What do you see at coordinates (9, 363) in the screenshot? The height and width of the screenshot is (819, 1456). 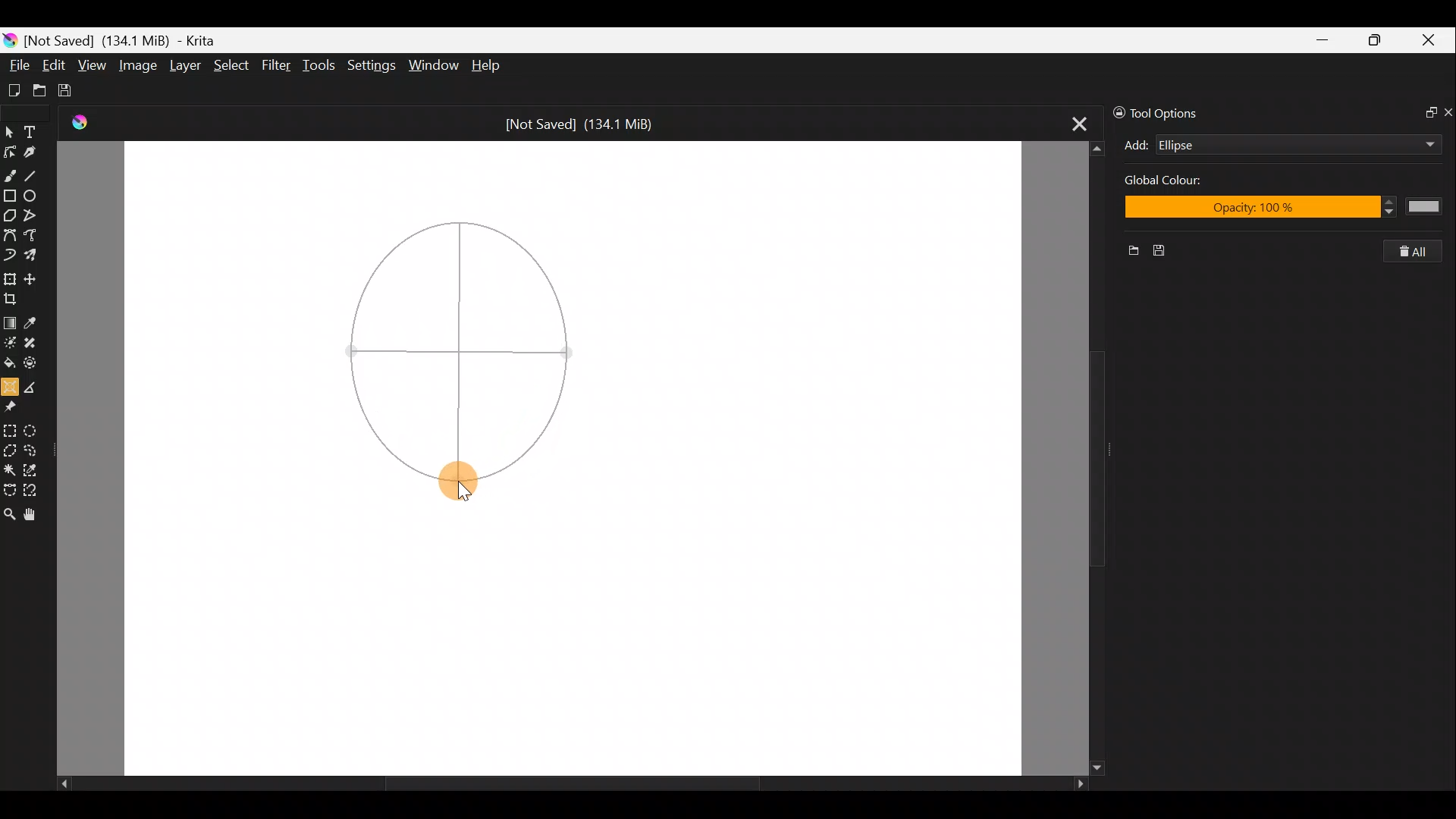 I see `Fill a contiguous area of color with color` at bounding box center [9, 363].